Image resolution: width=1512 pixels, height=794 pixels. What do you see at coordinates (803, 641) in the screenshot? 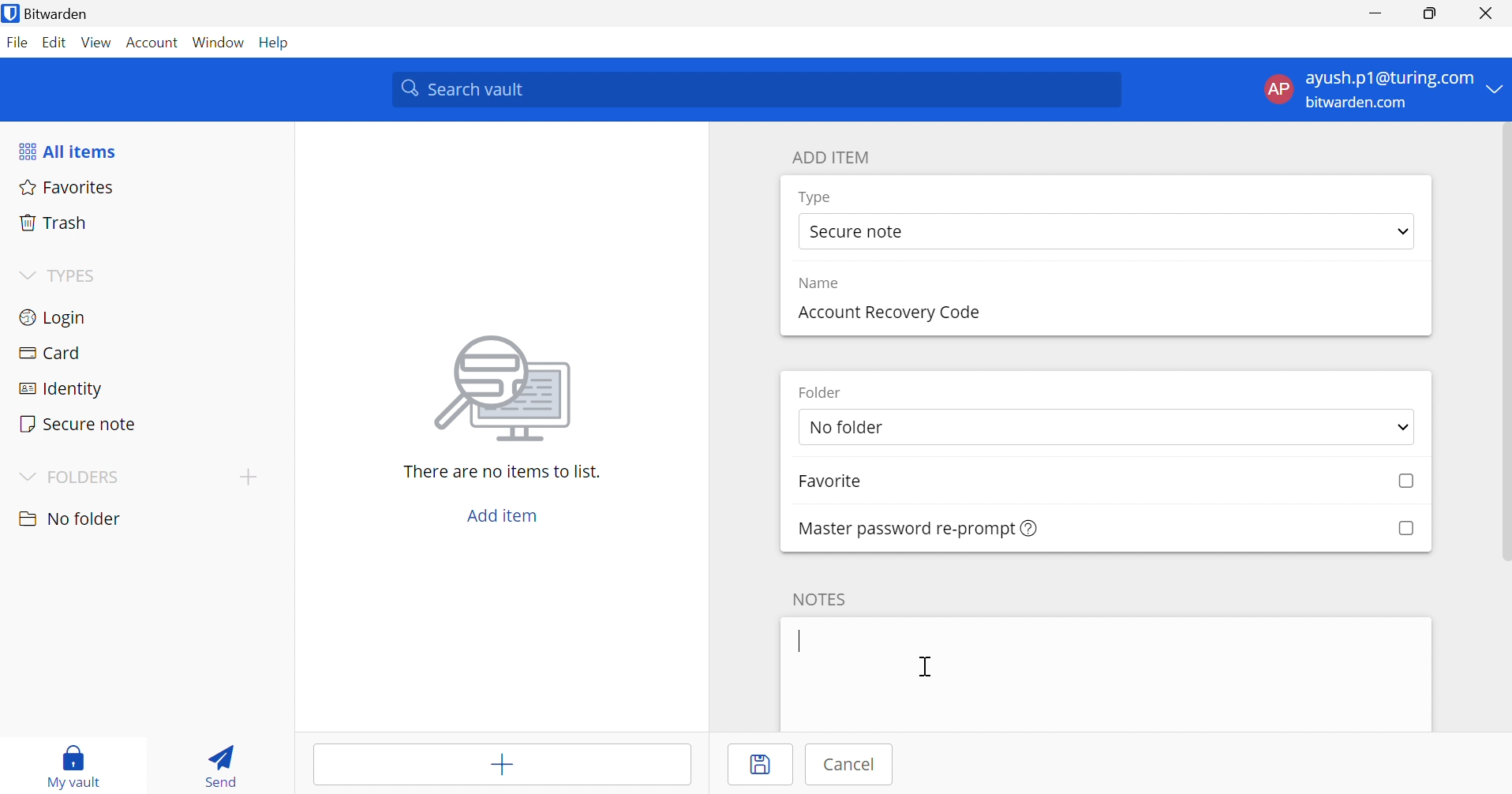
I see `Typing Cursor` at bounding box center [803, 641].